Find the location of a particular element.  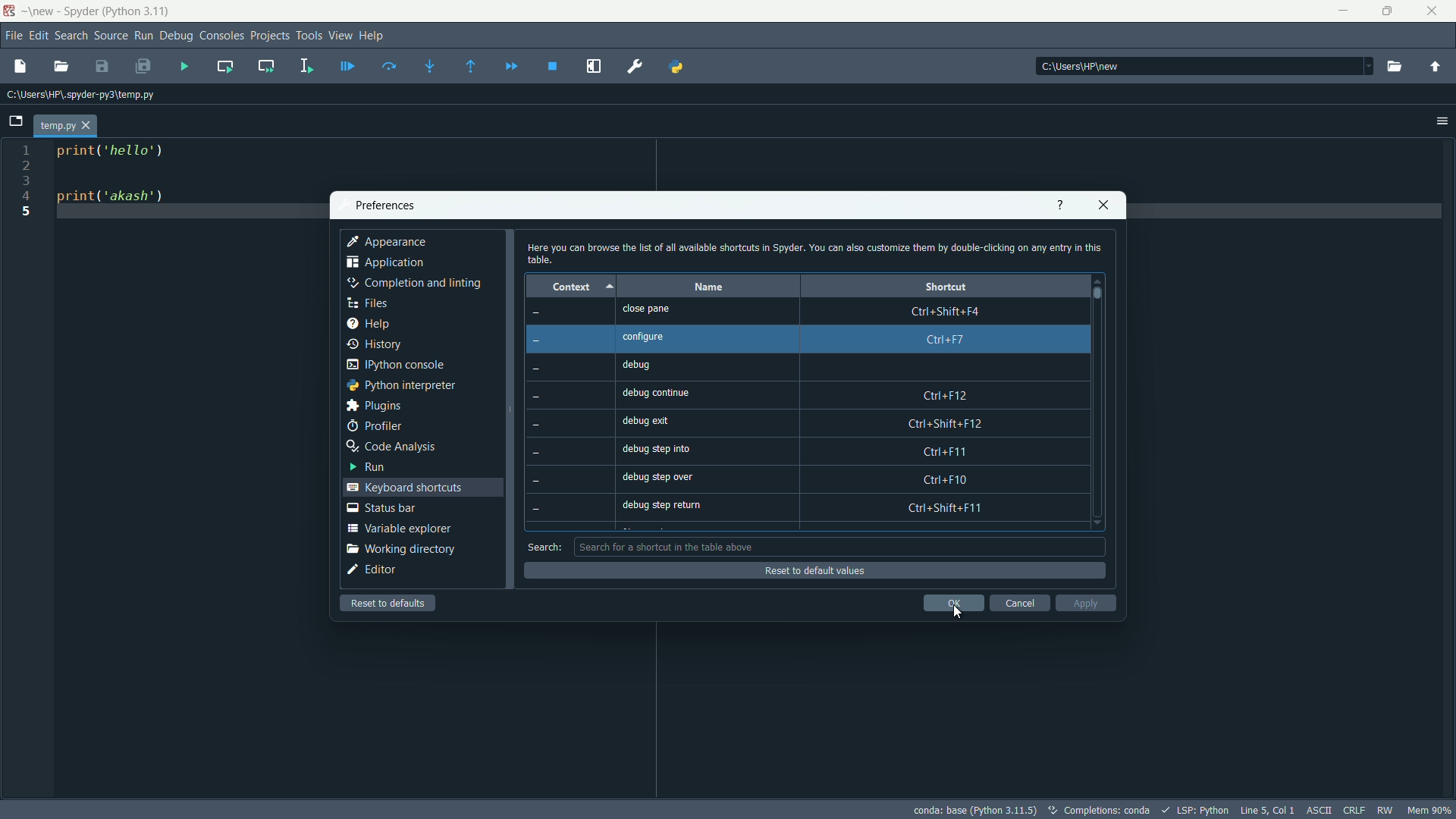

close is located at coordinates (1101, 206).